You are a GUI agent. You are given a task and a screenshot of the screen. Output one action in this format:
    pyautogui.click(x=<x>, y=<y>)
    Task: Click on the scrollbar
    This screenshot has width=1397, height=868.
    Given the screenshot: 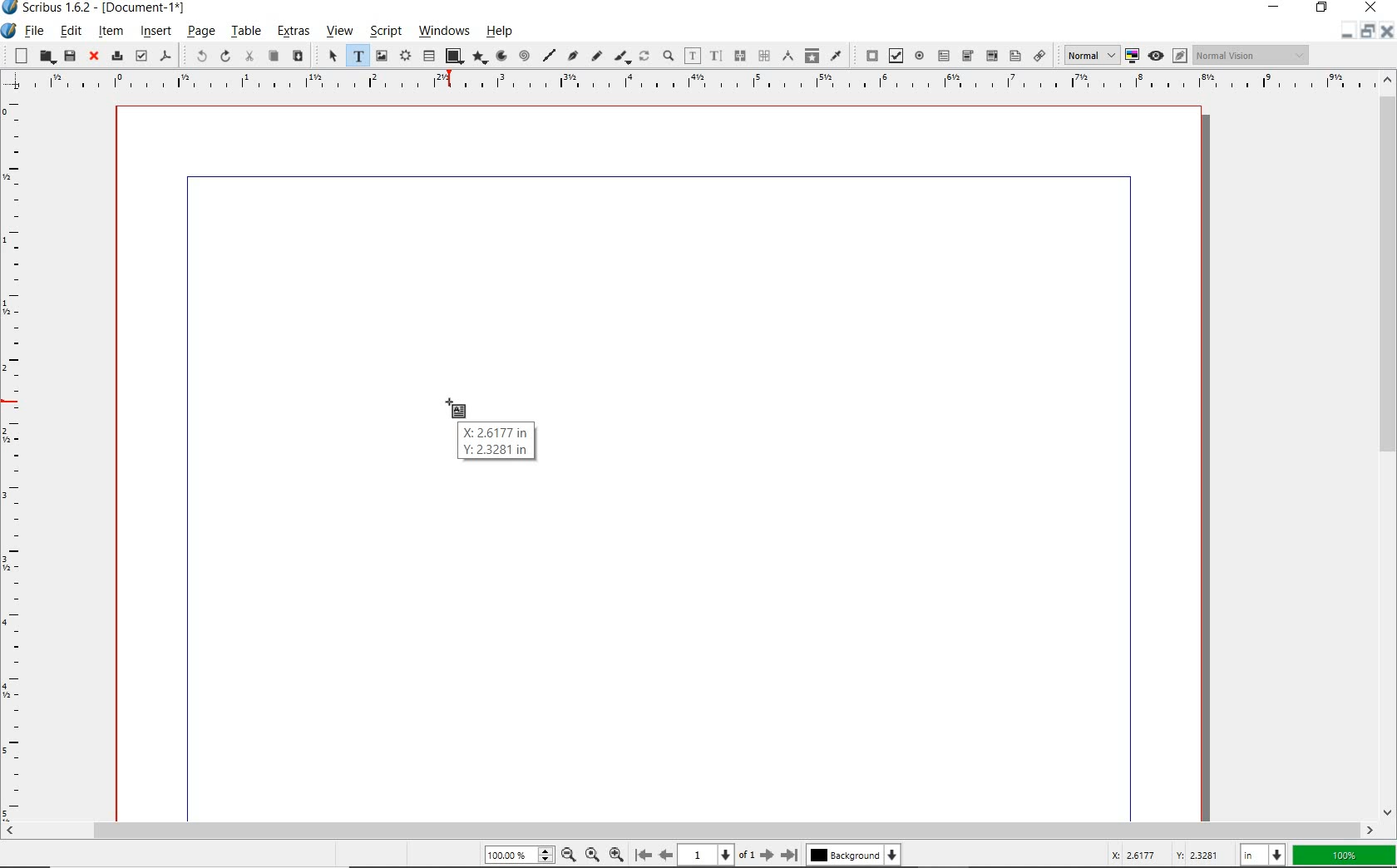 What is the action you would take?
    pyautogui.click(x=690, y=830)
    